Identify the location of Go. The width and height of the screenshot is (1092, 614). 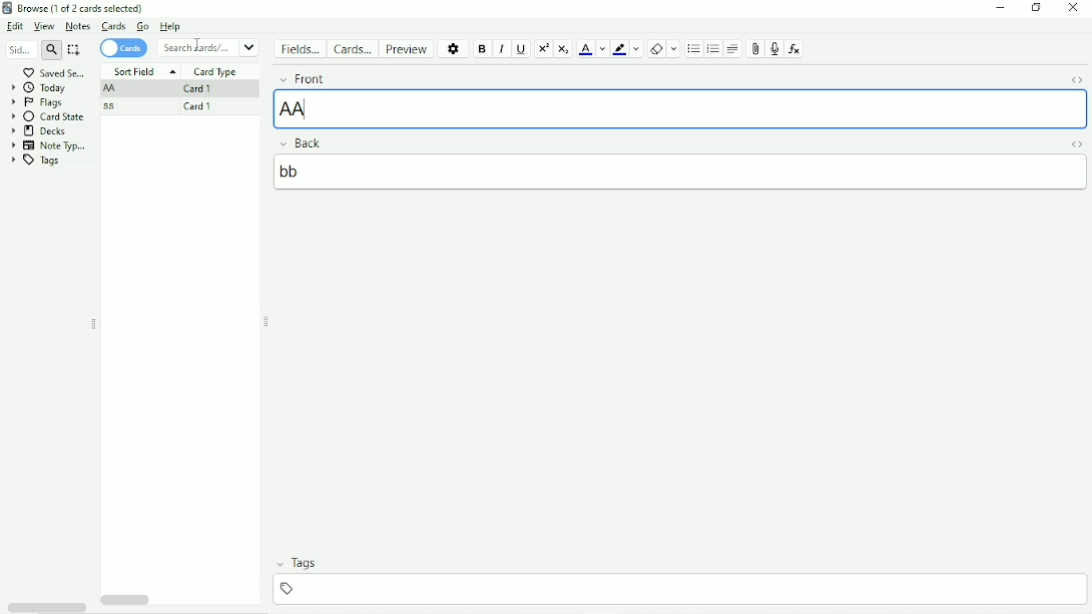
(142, 26).